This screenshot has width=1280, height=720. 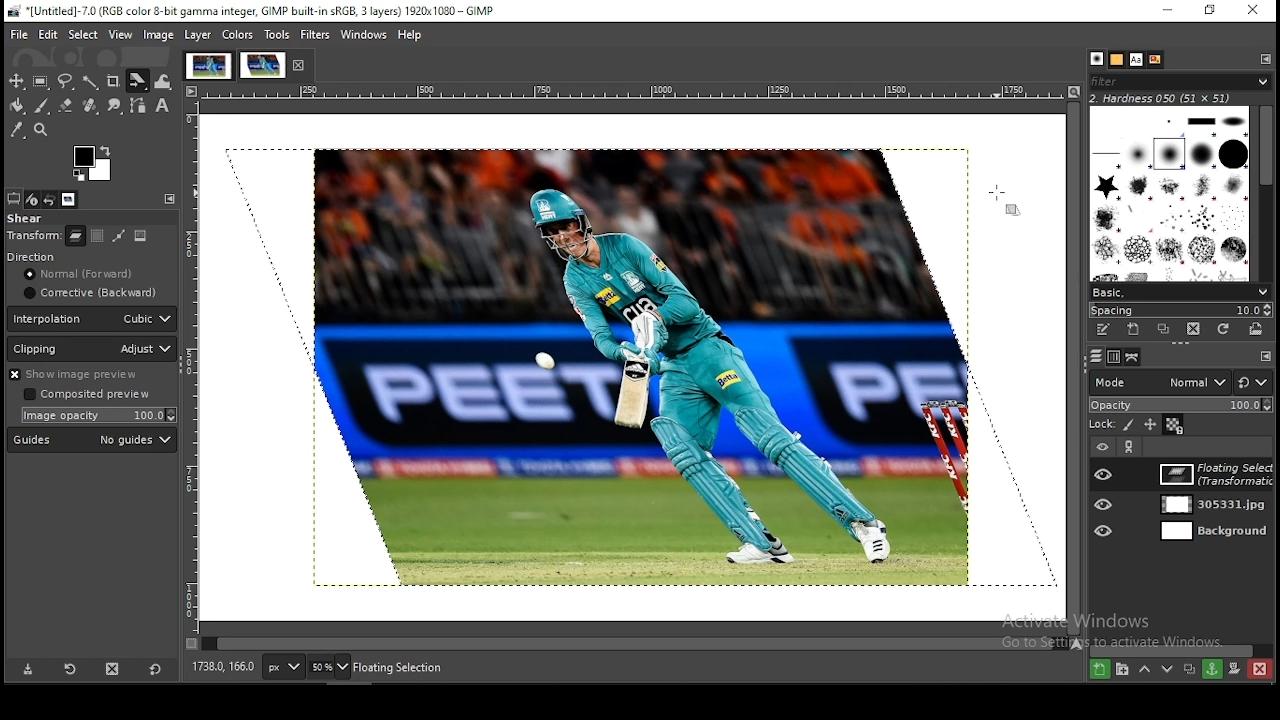 What do you see at coordinates (365, 35) in the screenshot?
I see `windows` at bounding box center [365, 35].